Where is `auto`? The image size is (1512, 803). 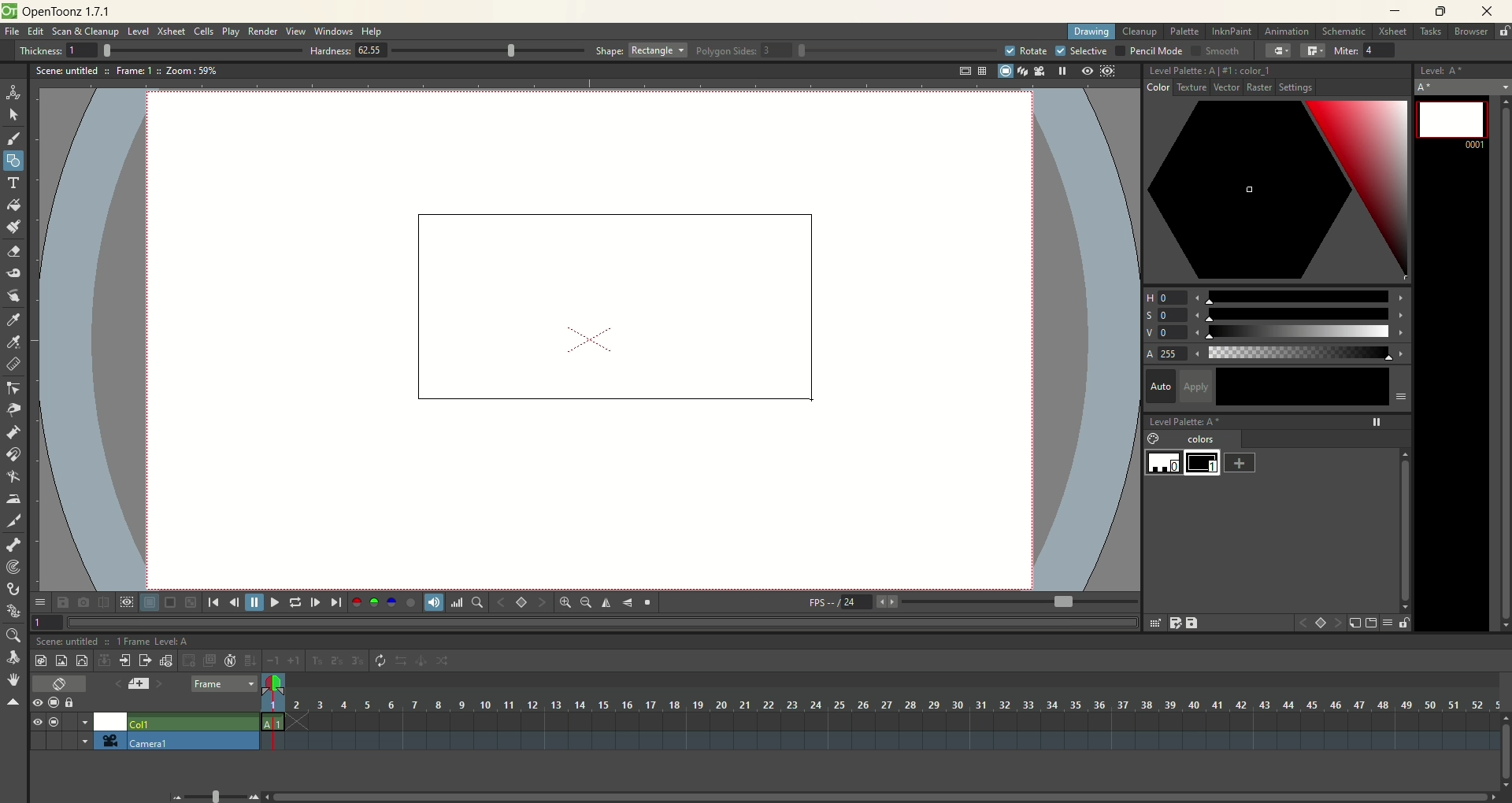 auto is located at coordinates (1160, 385).